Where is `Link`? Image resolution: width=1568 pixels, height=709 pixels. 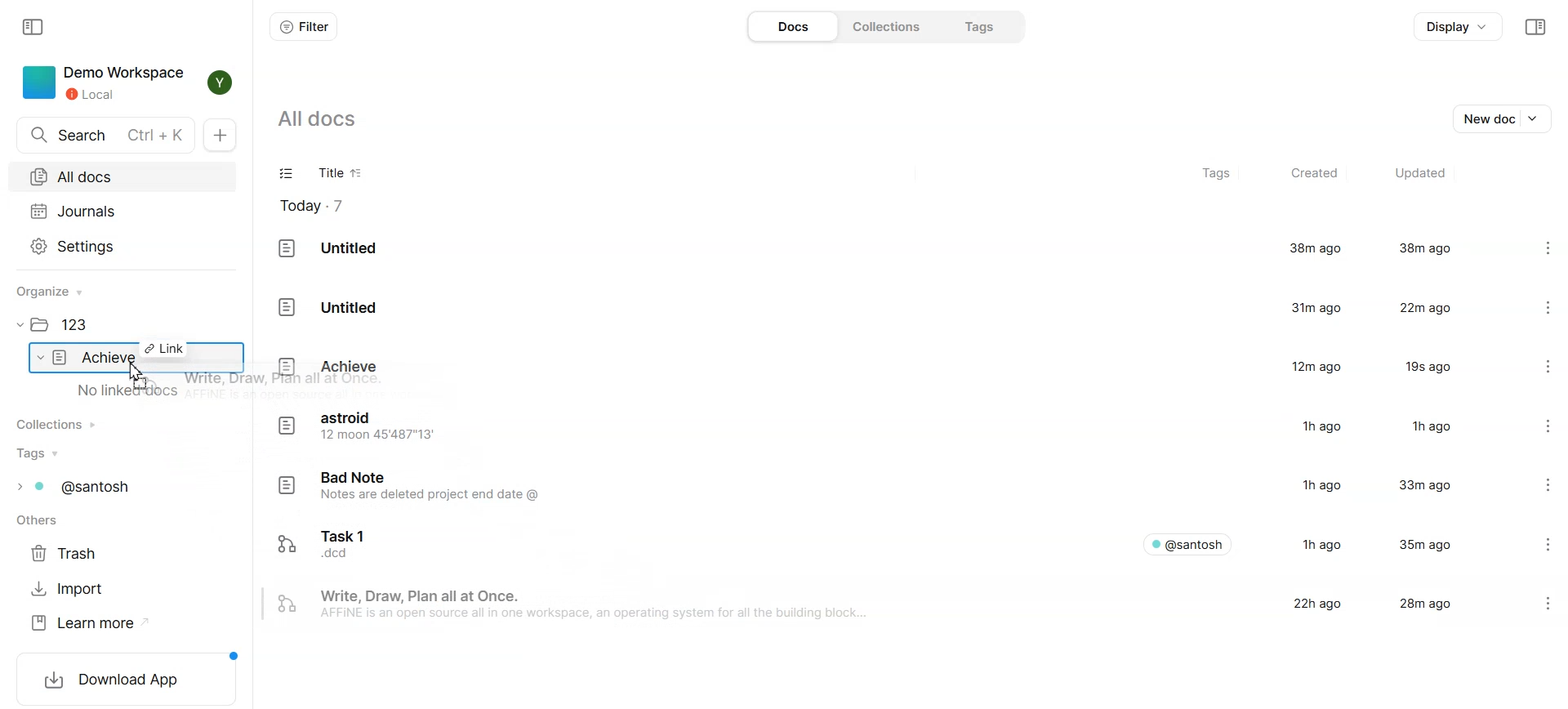 Link is located at coordinates (164, 348).